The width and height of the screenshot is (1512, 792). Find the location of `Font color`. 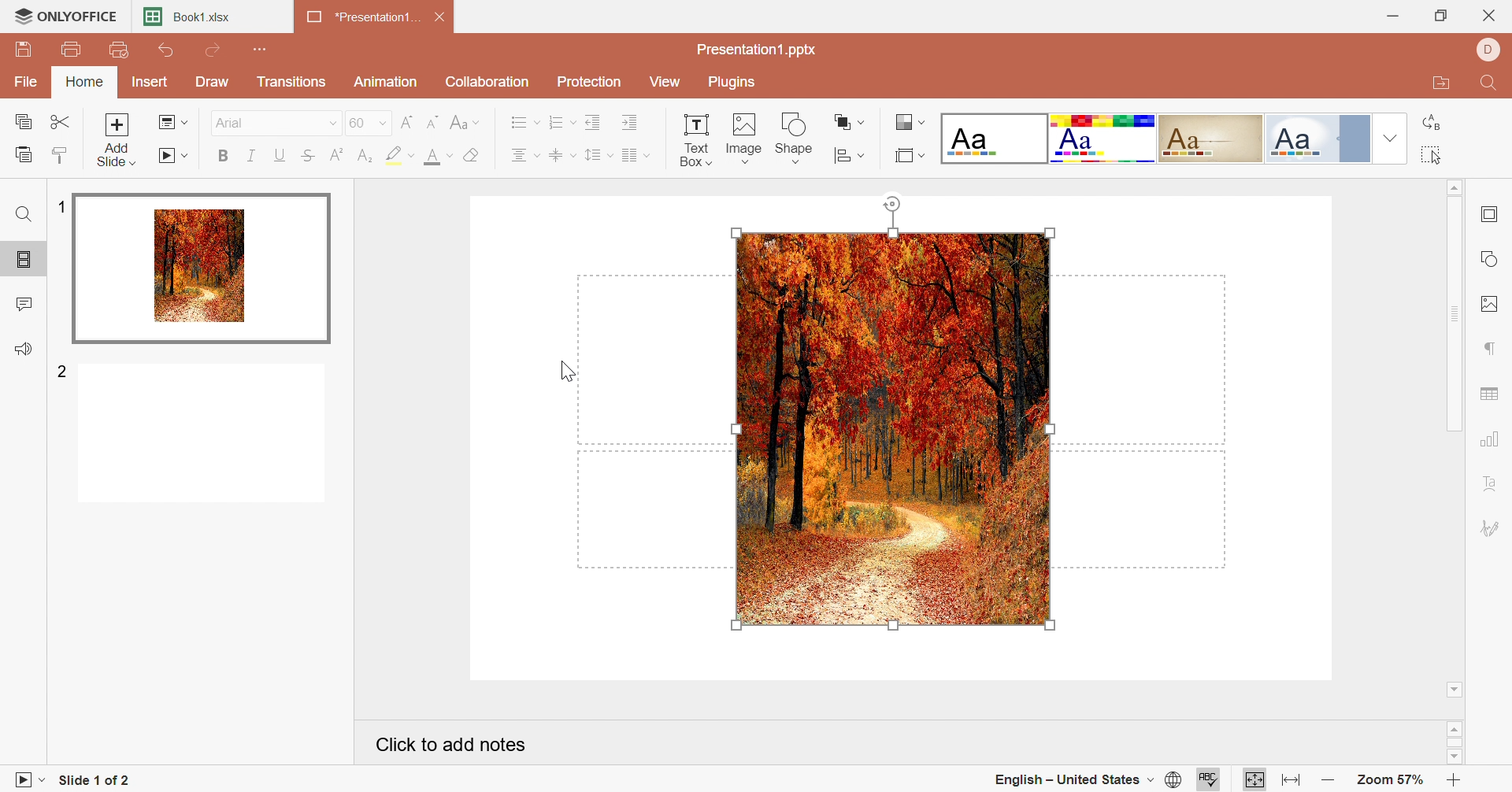

Font color is located at coordinates (442, 155).